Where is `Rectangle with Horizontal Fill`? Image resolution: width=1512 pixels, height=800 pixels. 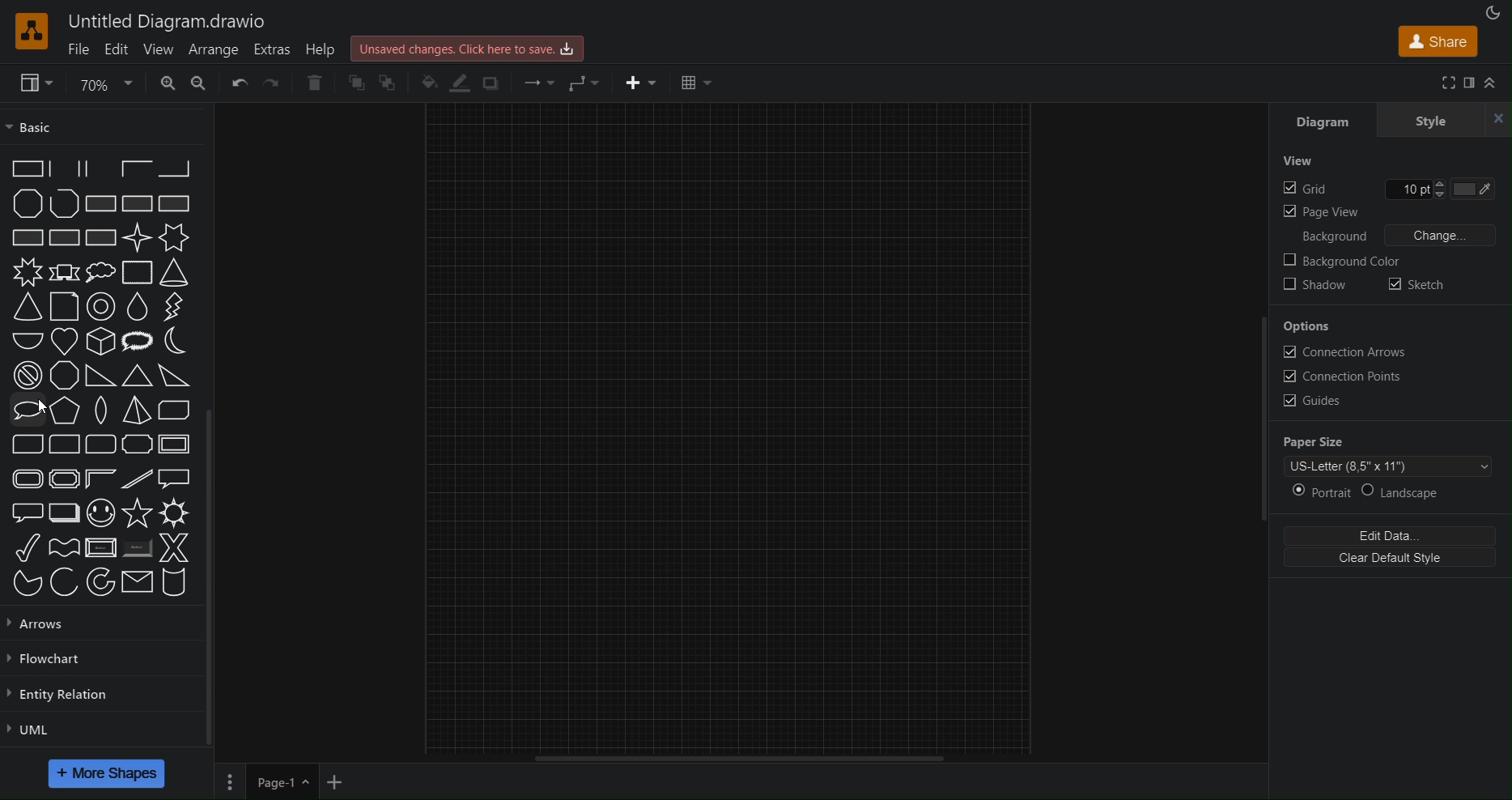
Rectangle with Horizontal Fill is located at coordinates (28, 238).